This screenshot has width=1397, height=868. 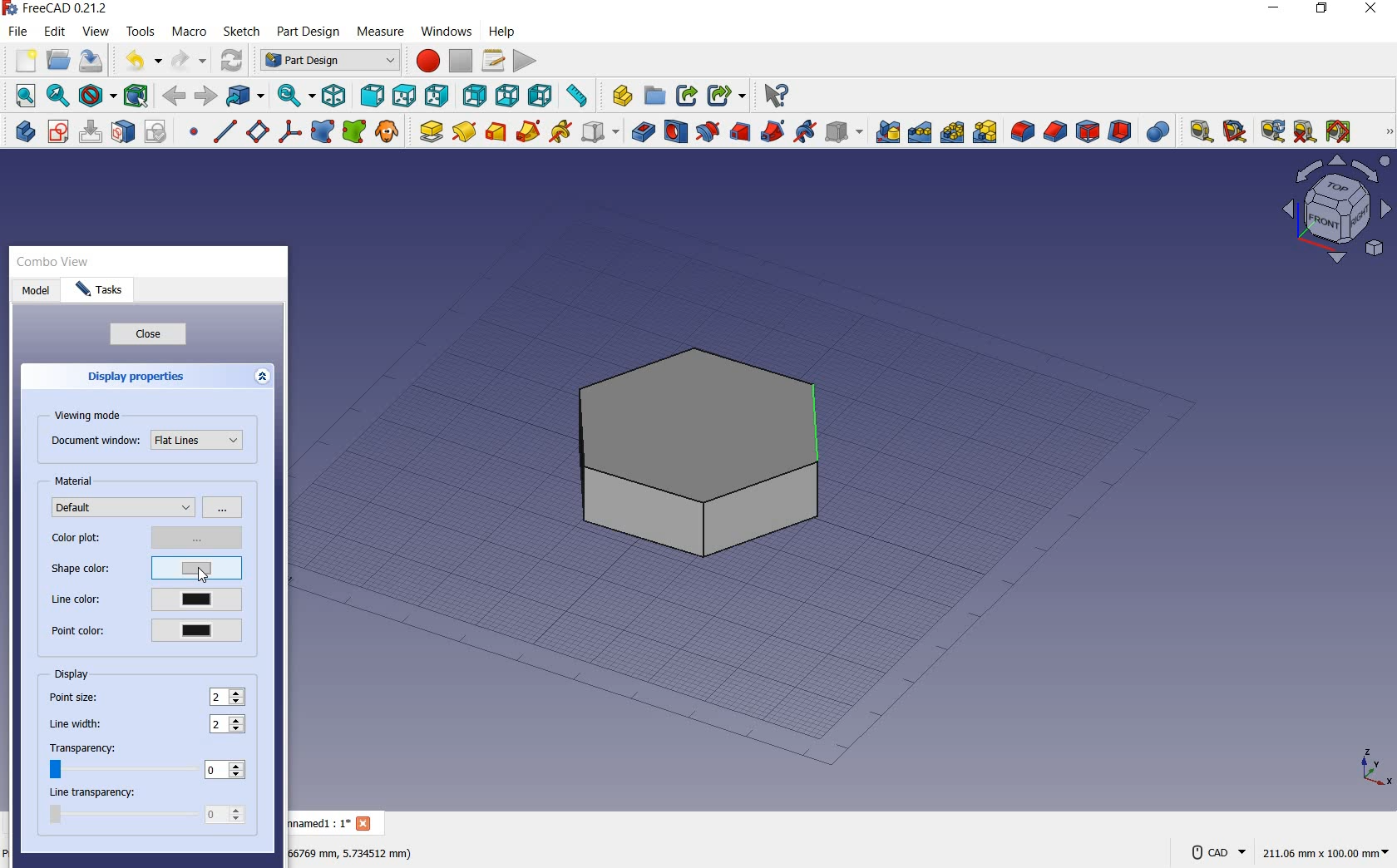 I want to click on close, so click(x=146, y=334).